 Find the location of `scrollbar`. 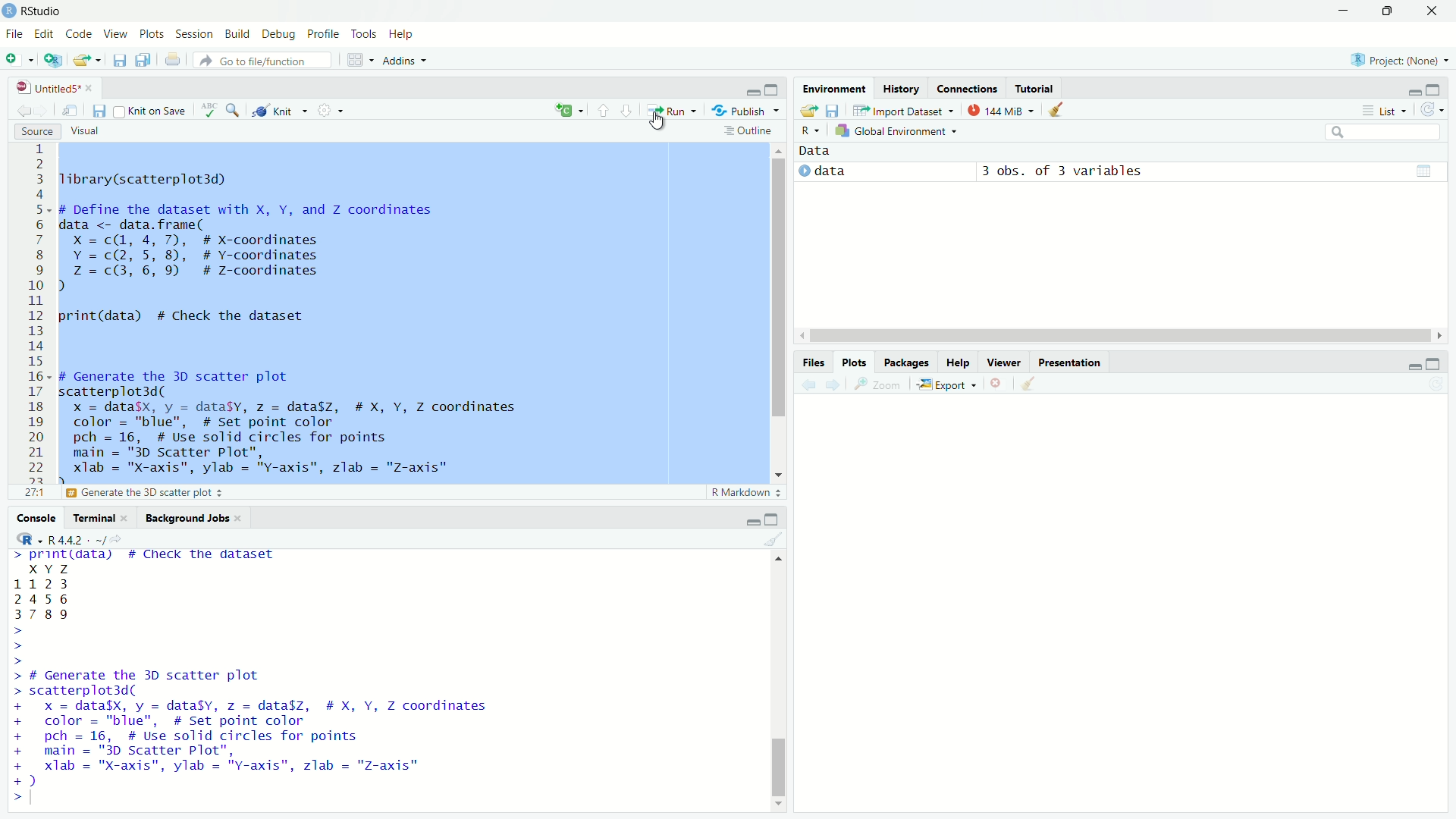

scrollbar is located at coordinates (1119, 335).